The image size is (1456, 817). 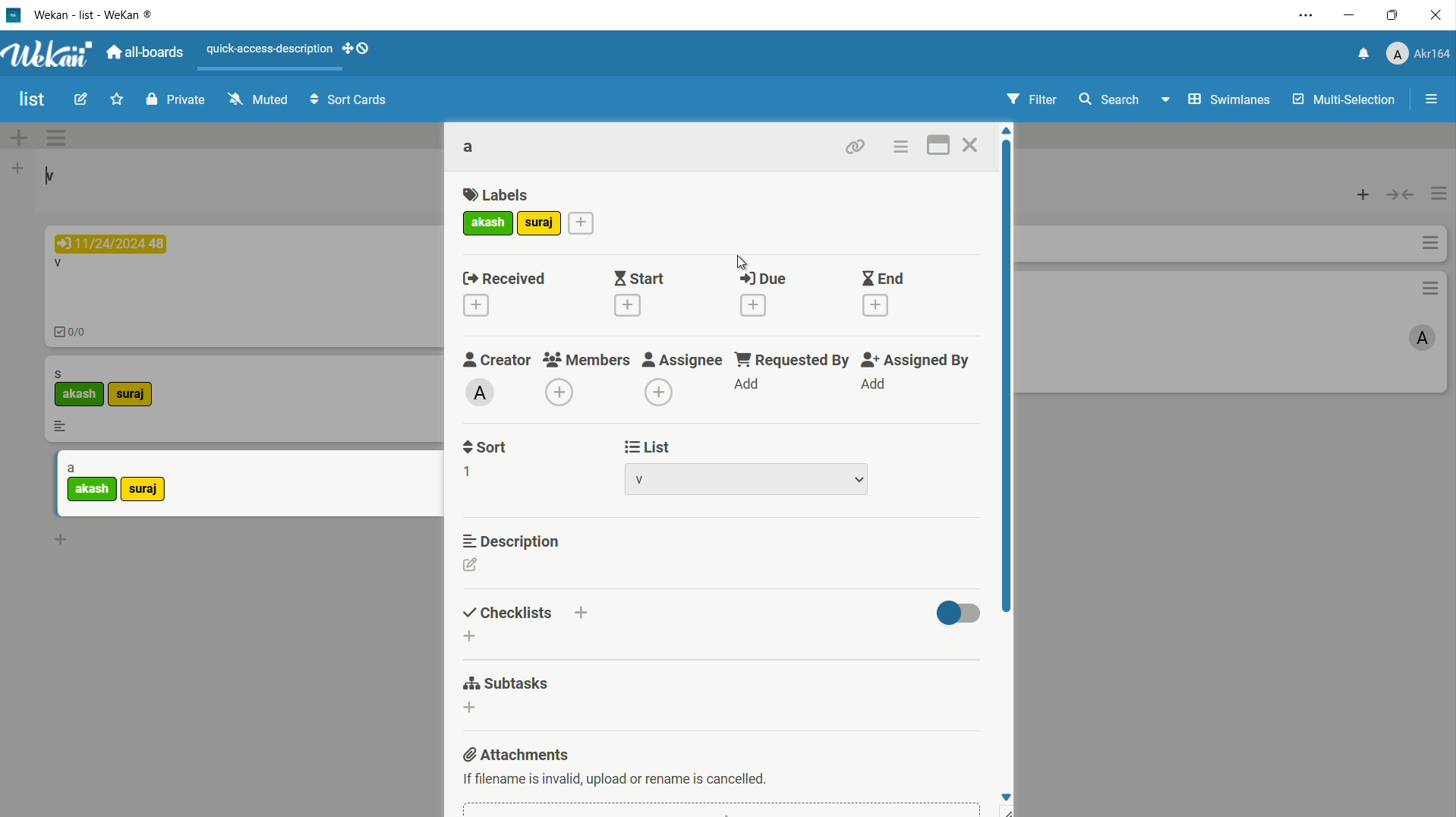 I want to click on options, so click(x=1439, y=190).